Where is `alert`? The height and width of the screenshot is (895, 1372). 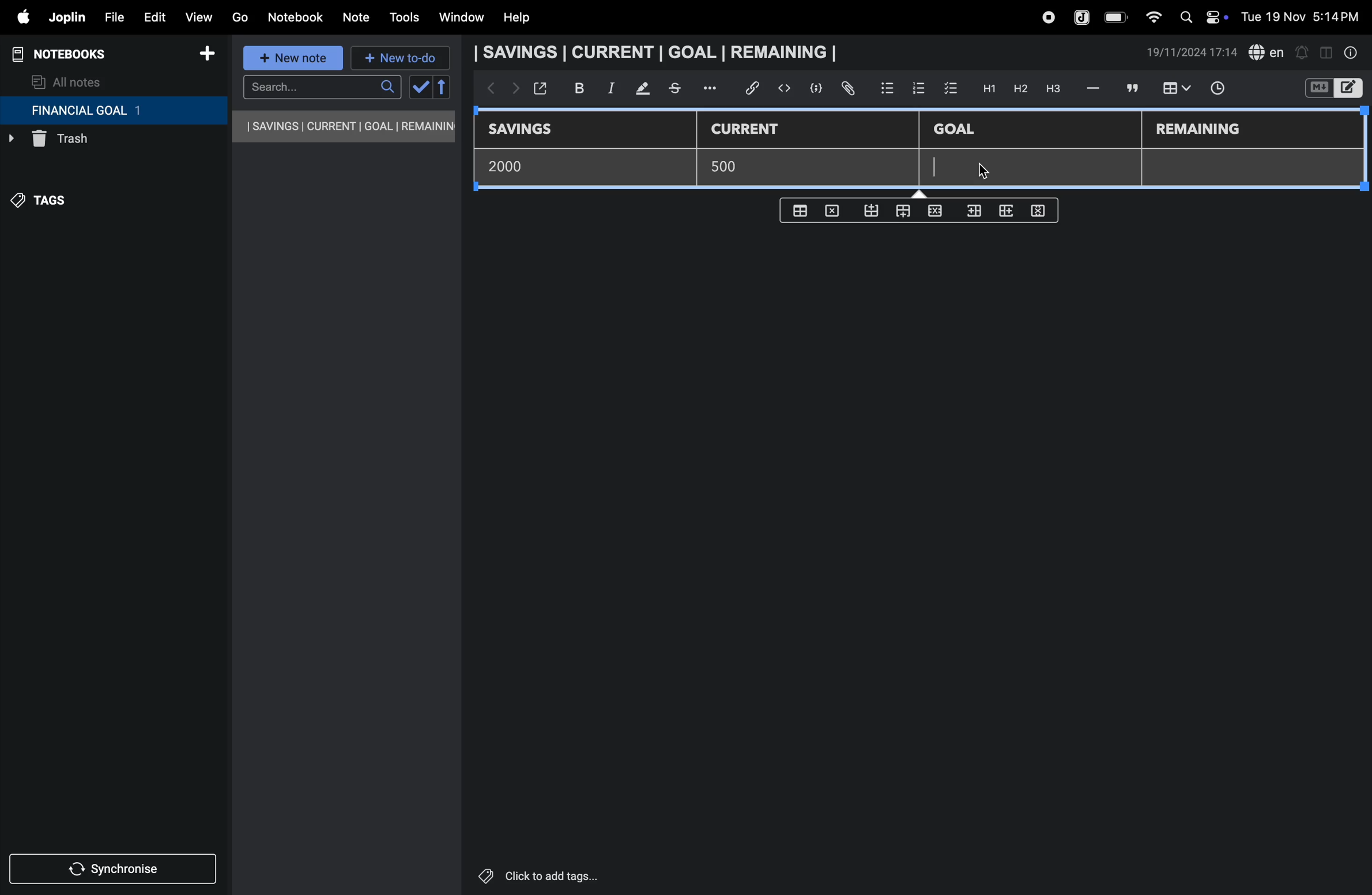
alert is located at coordinates (1301, 52).